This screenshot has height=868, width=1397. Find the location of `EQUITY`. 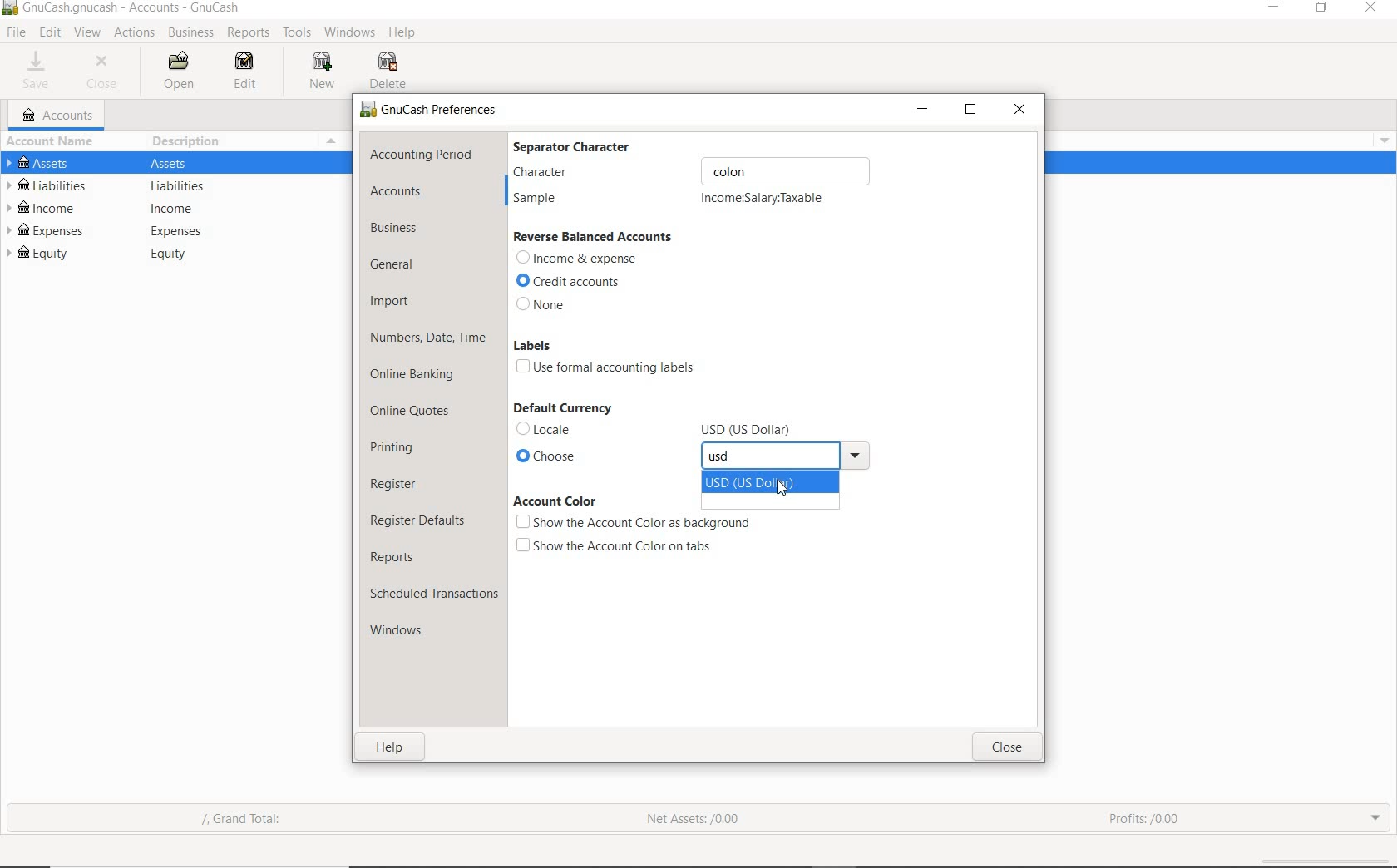

EQUITY is located at coordinates (51, 254).